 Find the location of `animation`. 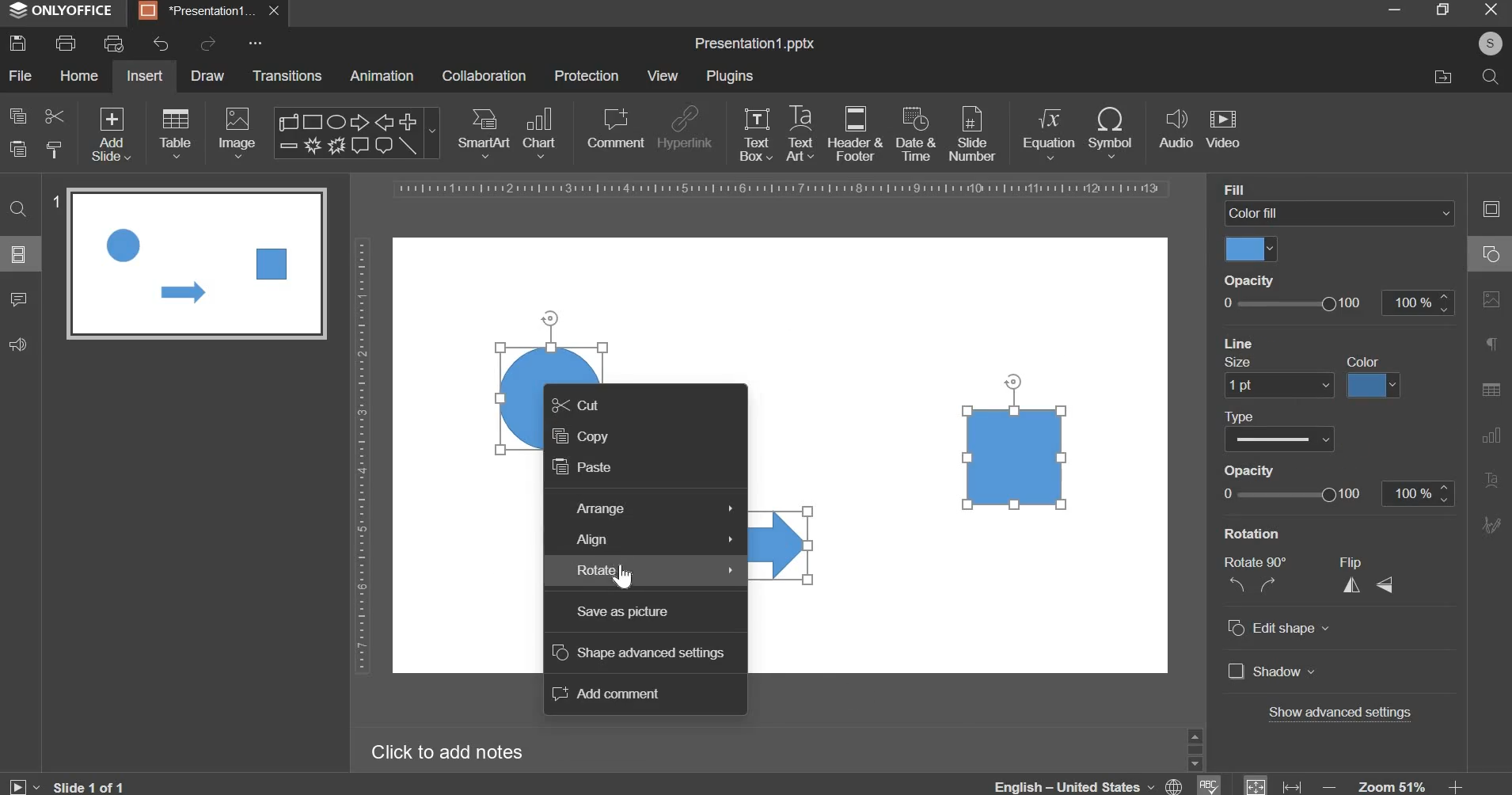

animation is located at coordinates (382, 75).